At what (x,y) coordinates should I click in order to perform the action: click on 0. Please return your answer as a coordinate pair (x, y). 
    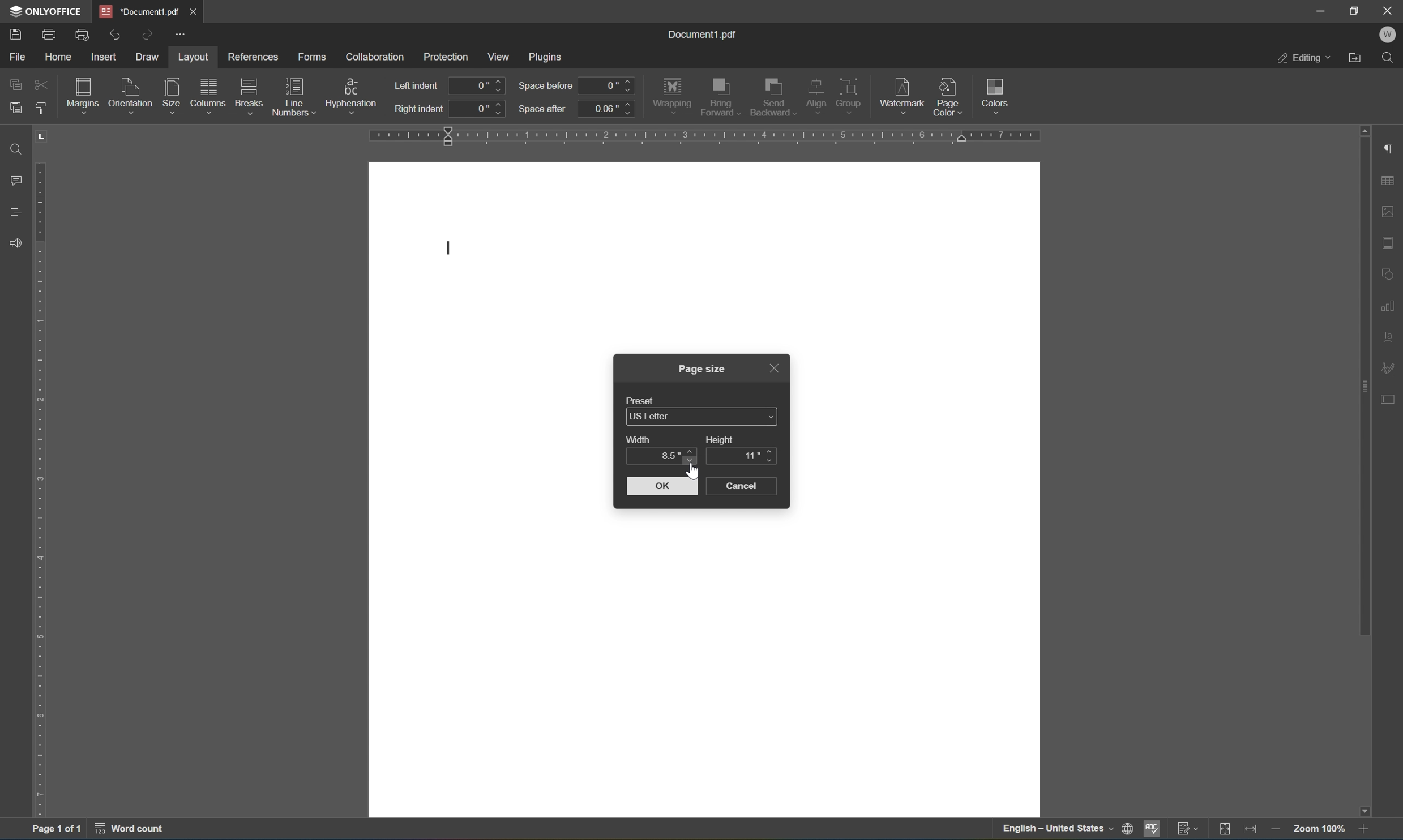
    Looking at the image, I should click on (478, 85).